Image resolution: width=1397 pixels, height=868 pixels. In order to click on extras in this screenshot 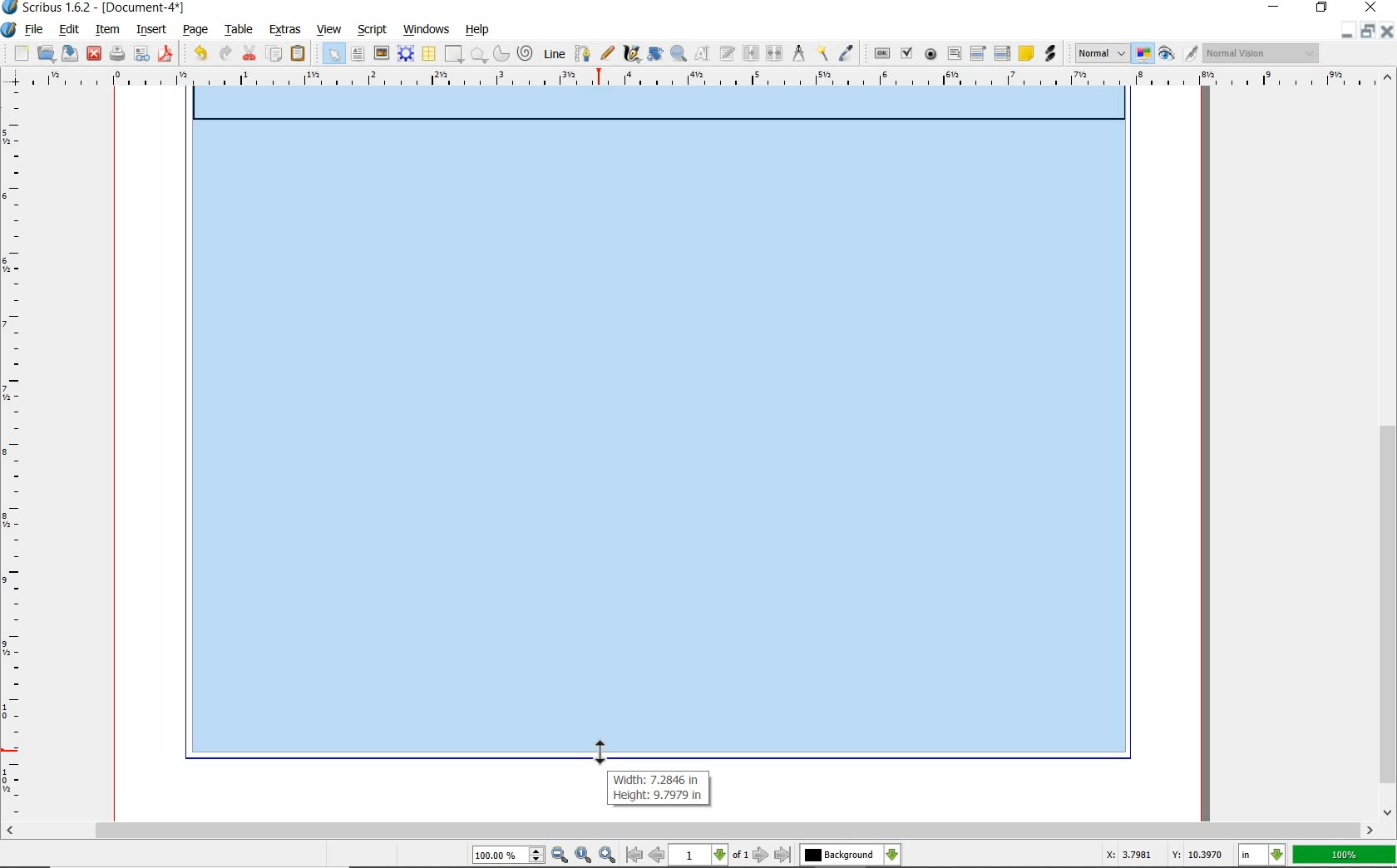, I will do `click(284, 30)`.